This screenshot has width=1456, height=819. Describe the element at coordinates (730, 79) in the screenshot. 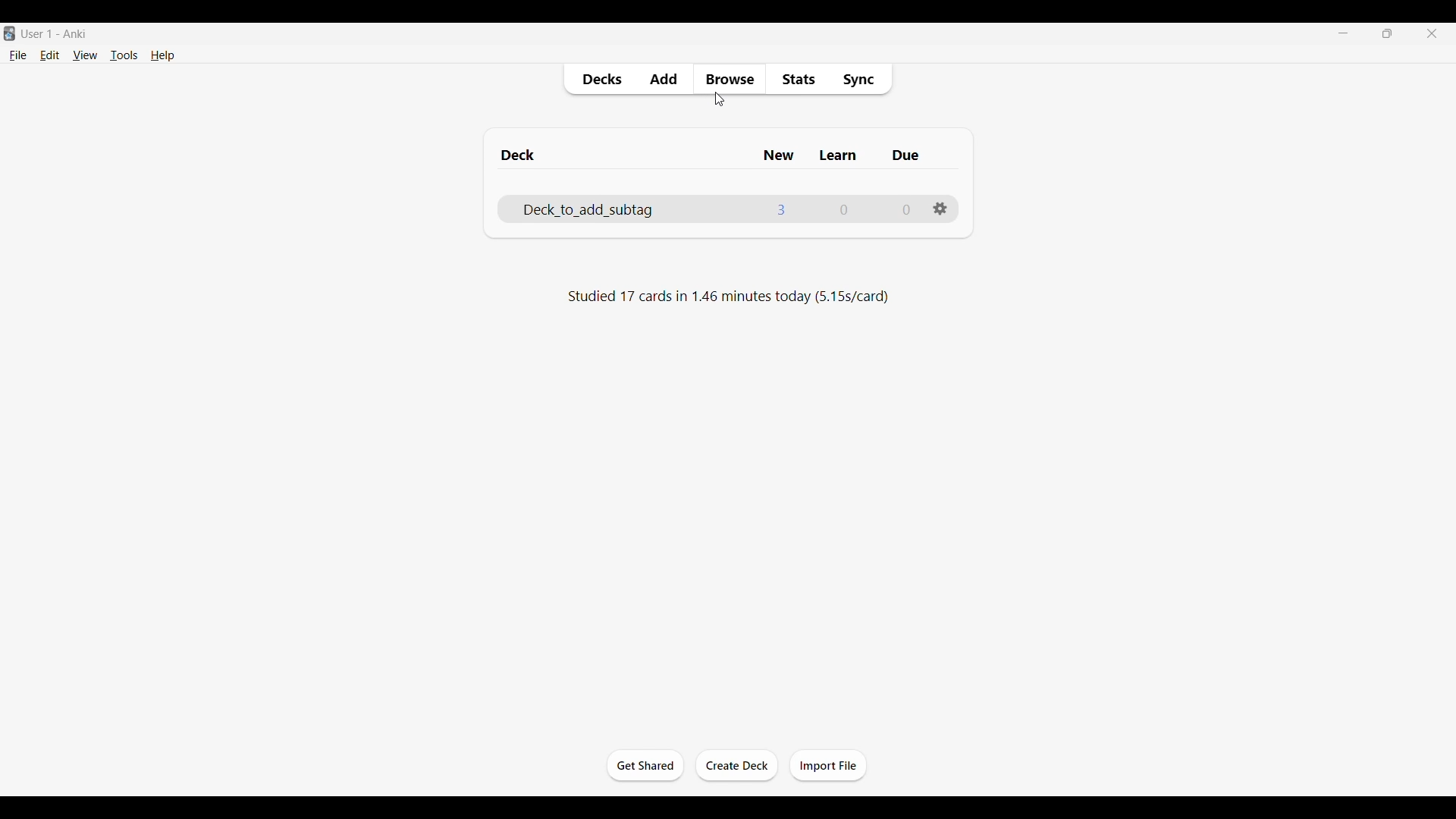

I see `Browse` at that location.